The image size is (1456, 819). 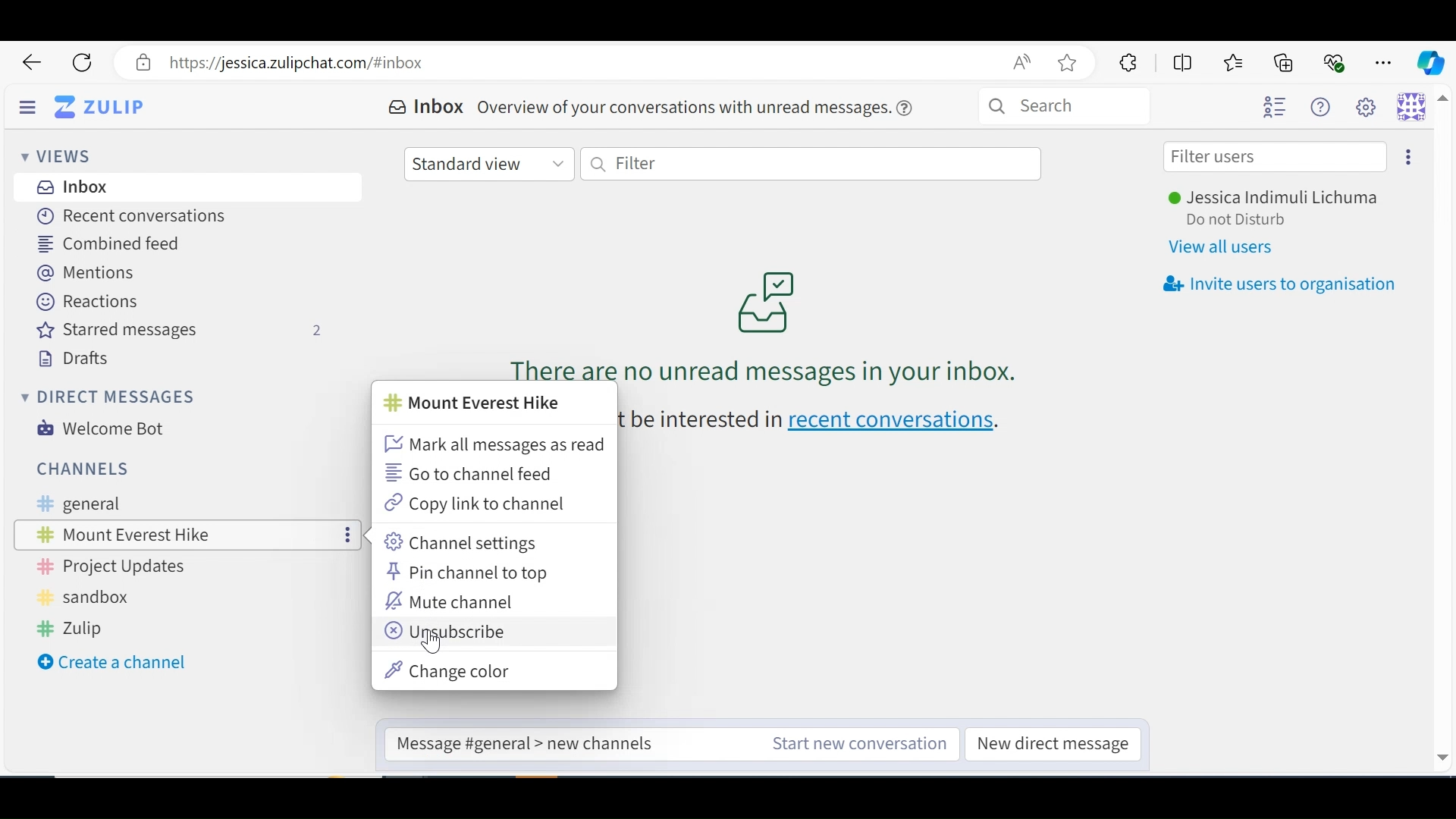 What do you see at coordinates (117, 566) in the screenshot?
I see `Project Updates` at bounding box center [117, 566].